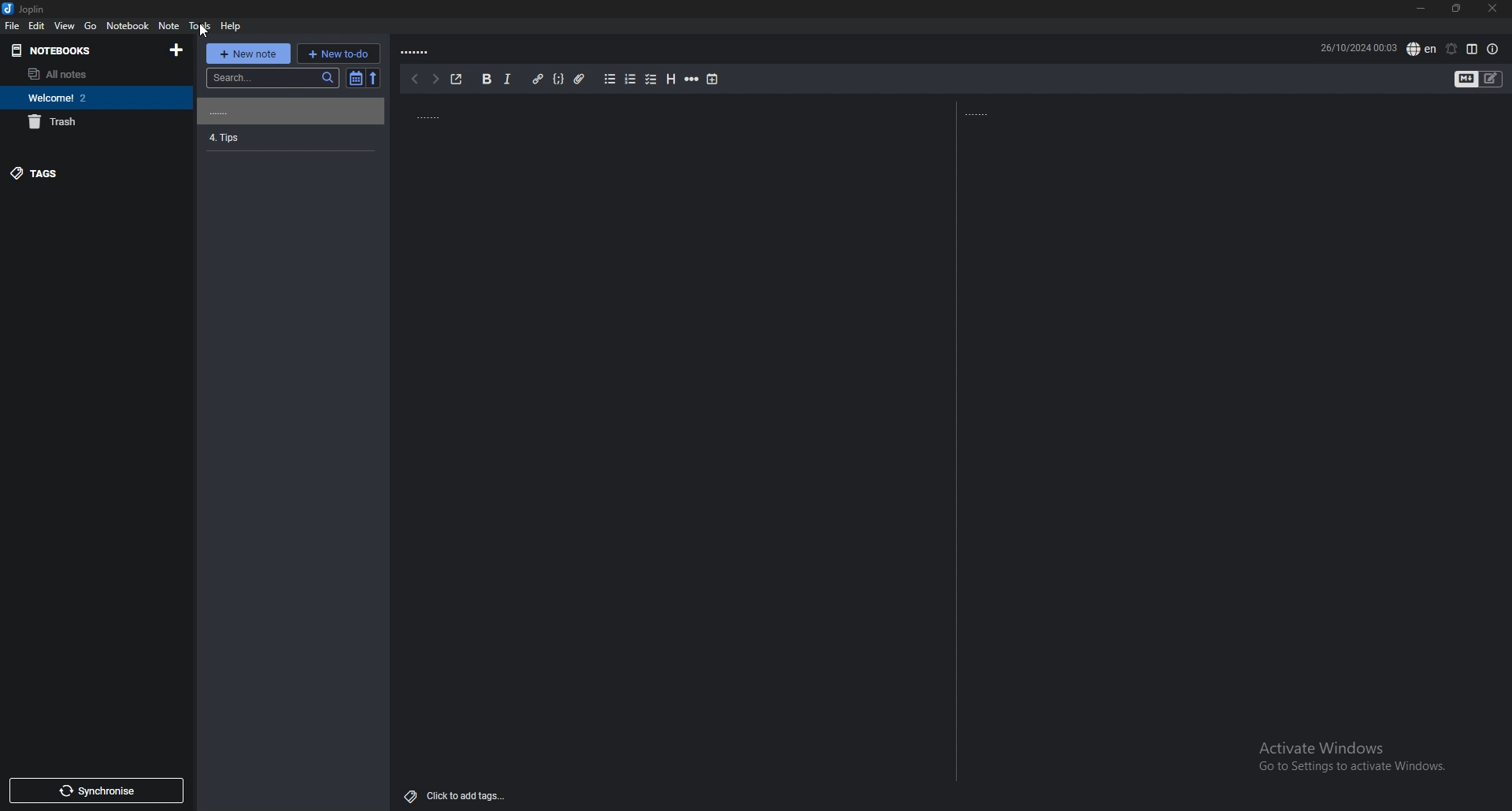  I want to click on go, so click(91, 25).